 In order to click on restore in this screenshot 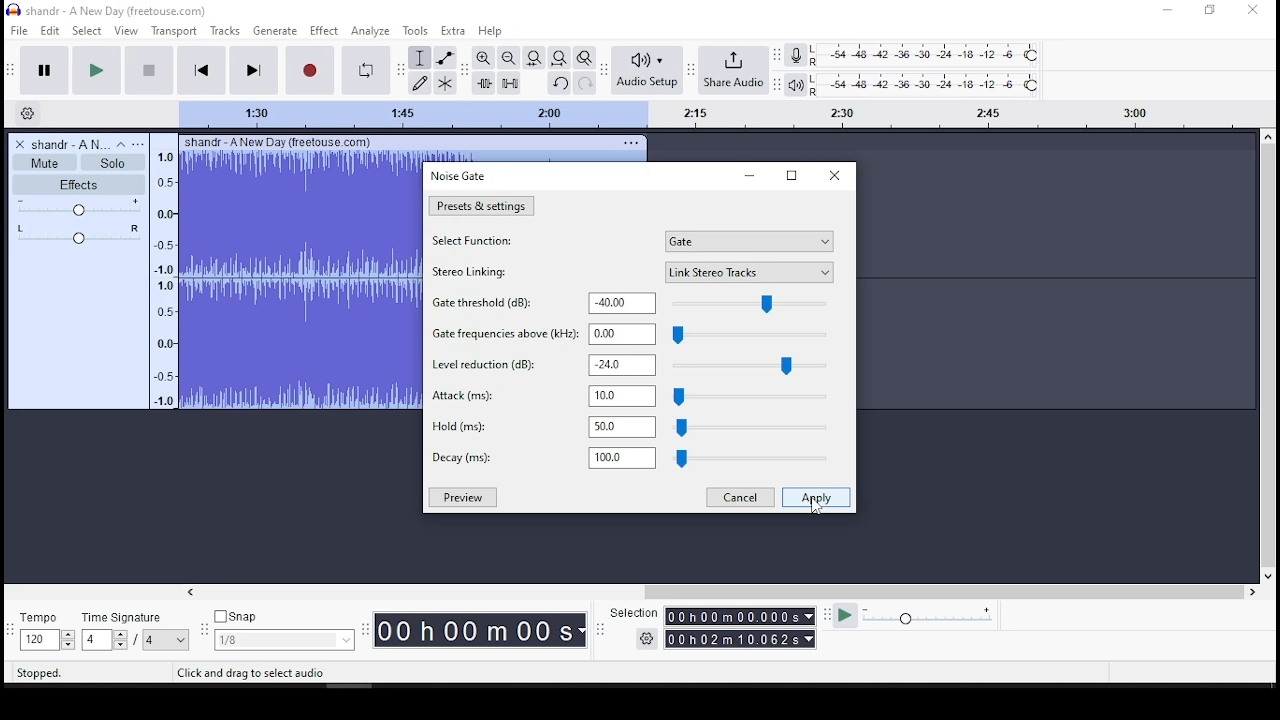, I will do `click(1208, 12)`.